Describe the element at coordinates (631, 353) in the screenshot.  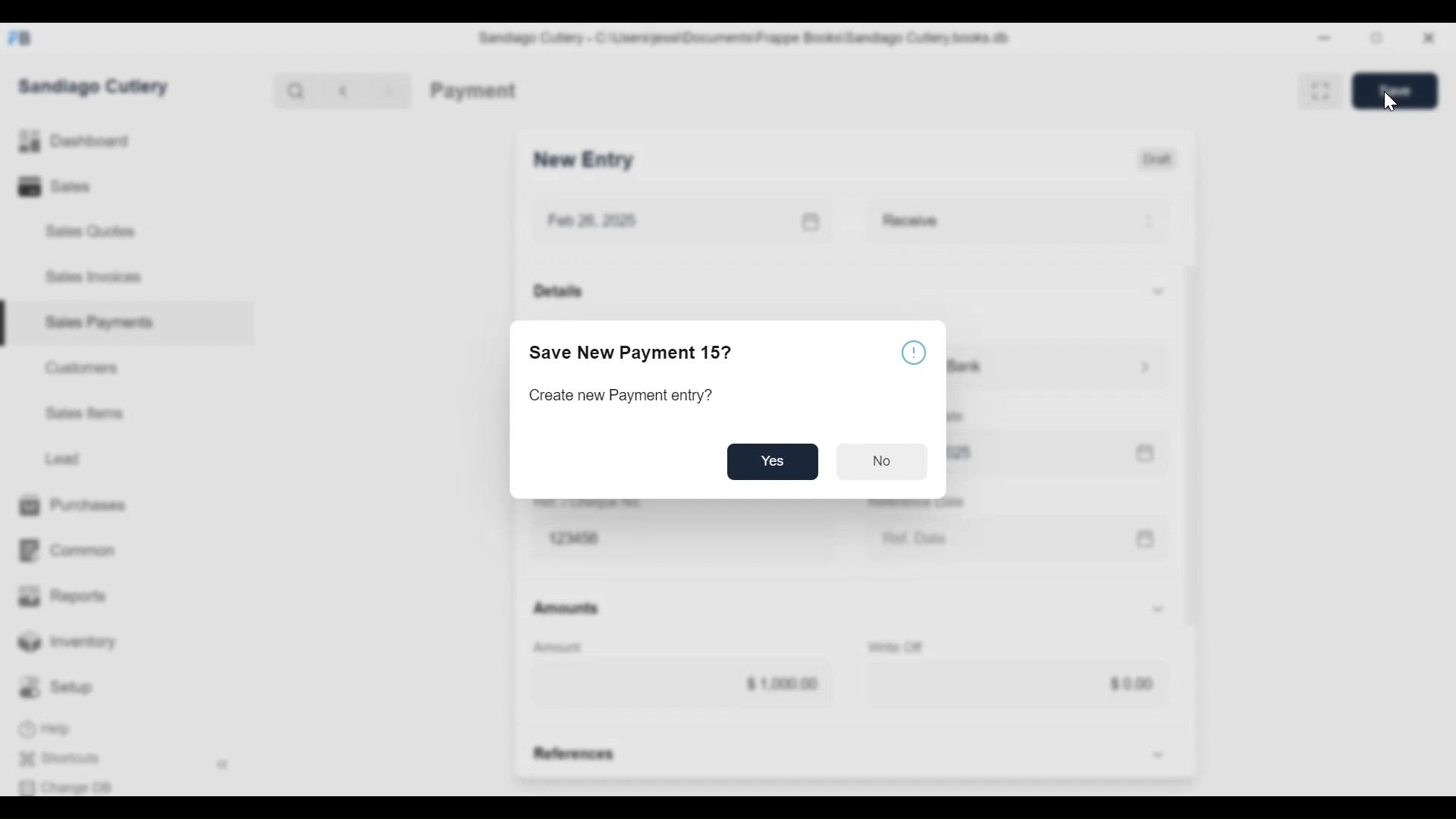
I see `Save New Payment 15?` at that location.